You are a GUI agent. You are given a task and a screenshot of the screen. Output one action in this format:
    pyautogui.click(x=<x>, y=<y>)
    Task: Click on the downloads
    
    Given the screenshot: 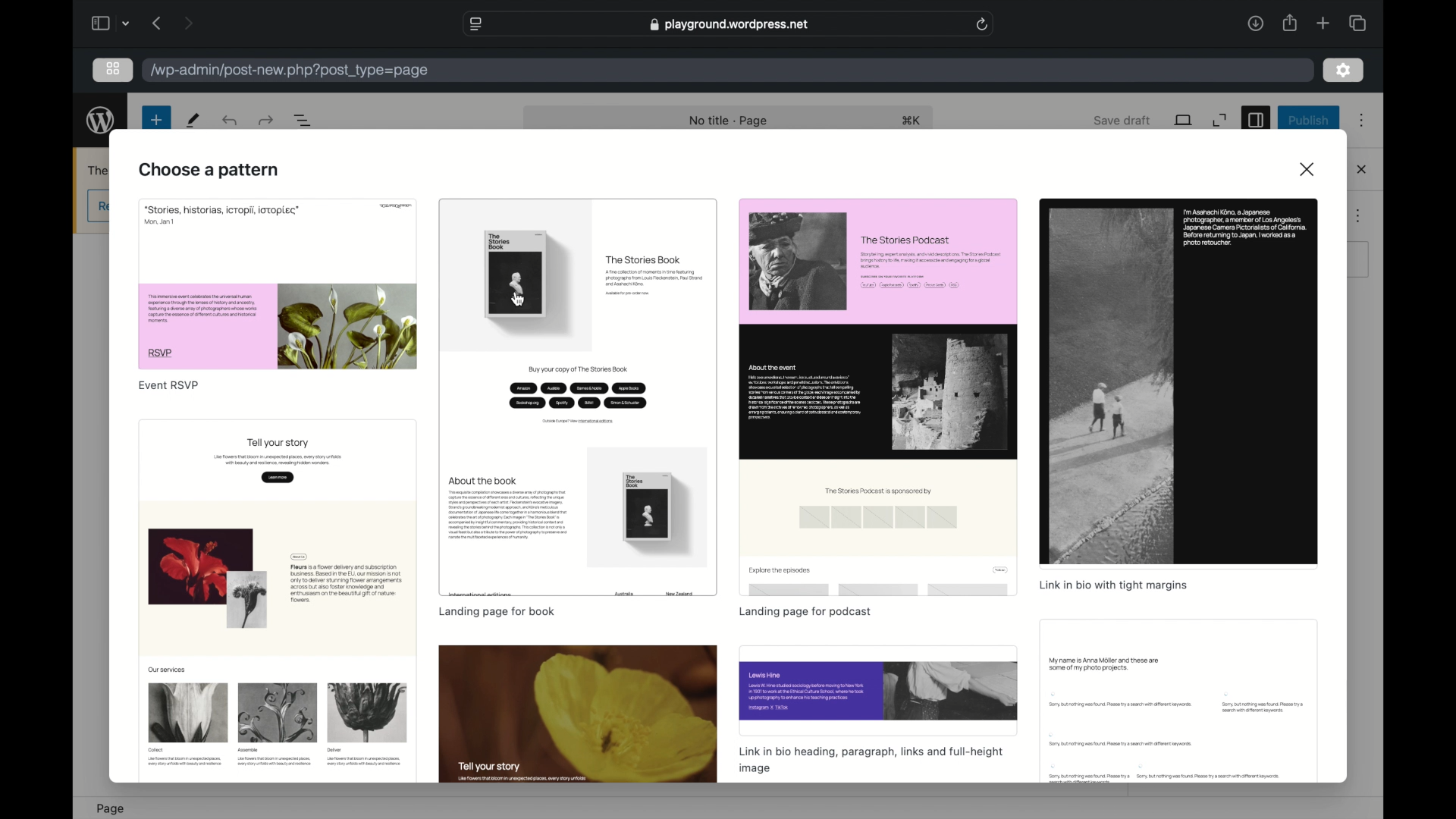 What is the action you would take?
    pyautogui.click(x=1256, y=23)
    